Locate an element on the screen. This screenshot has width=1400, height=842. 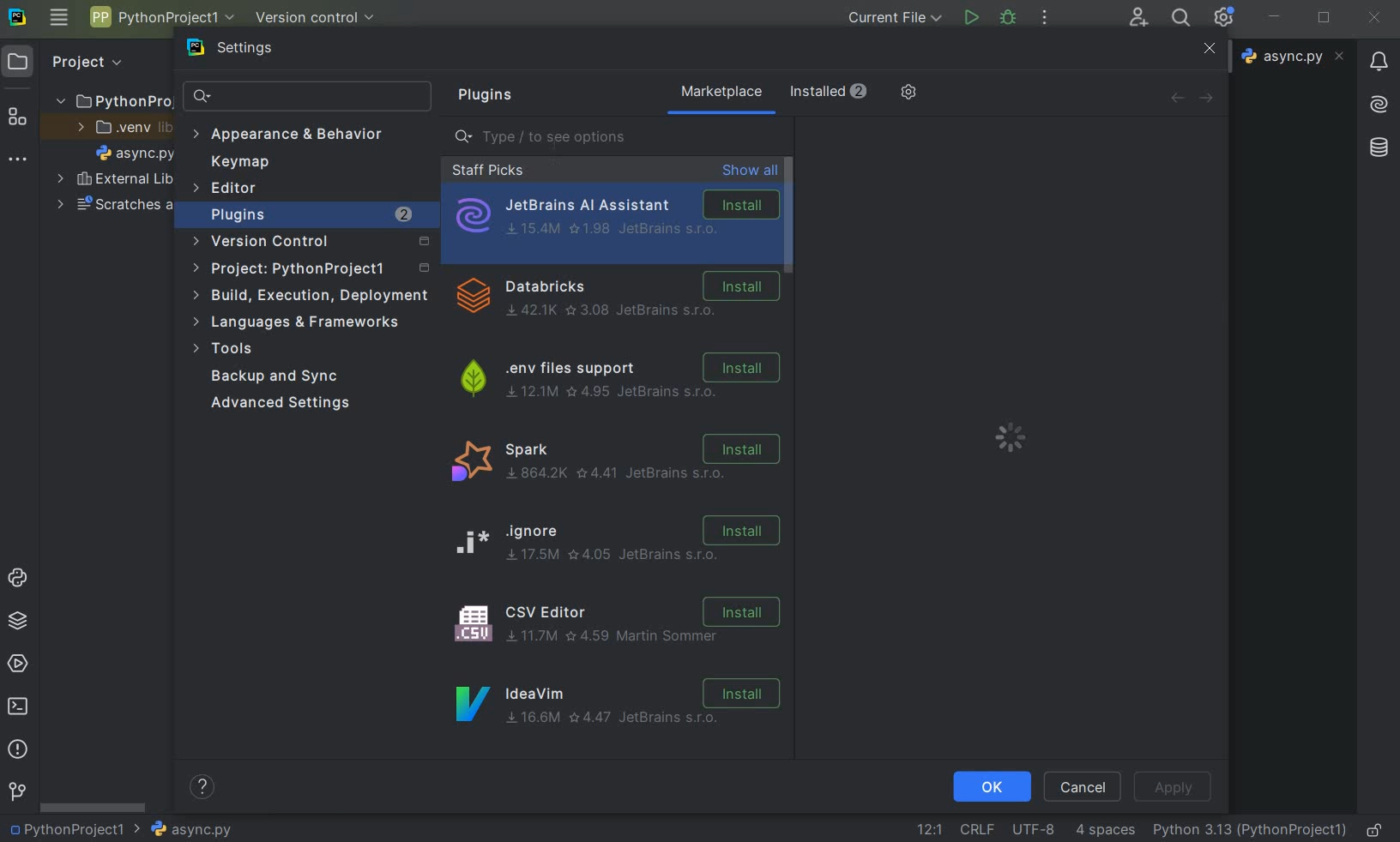
external libraries is located at coordinates (112, 178).